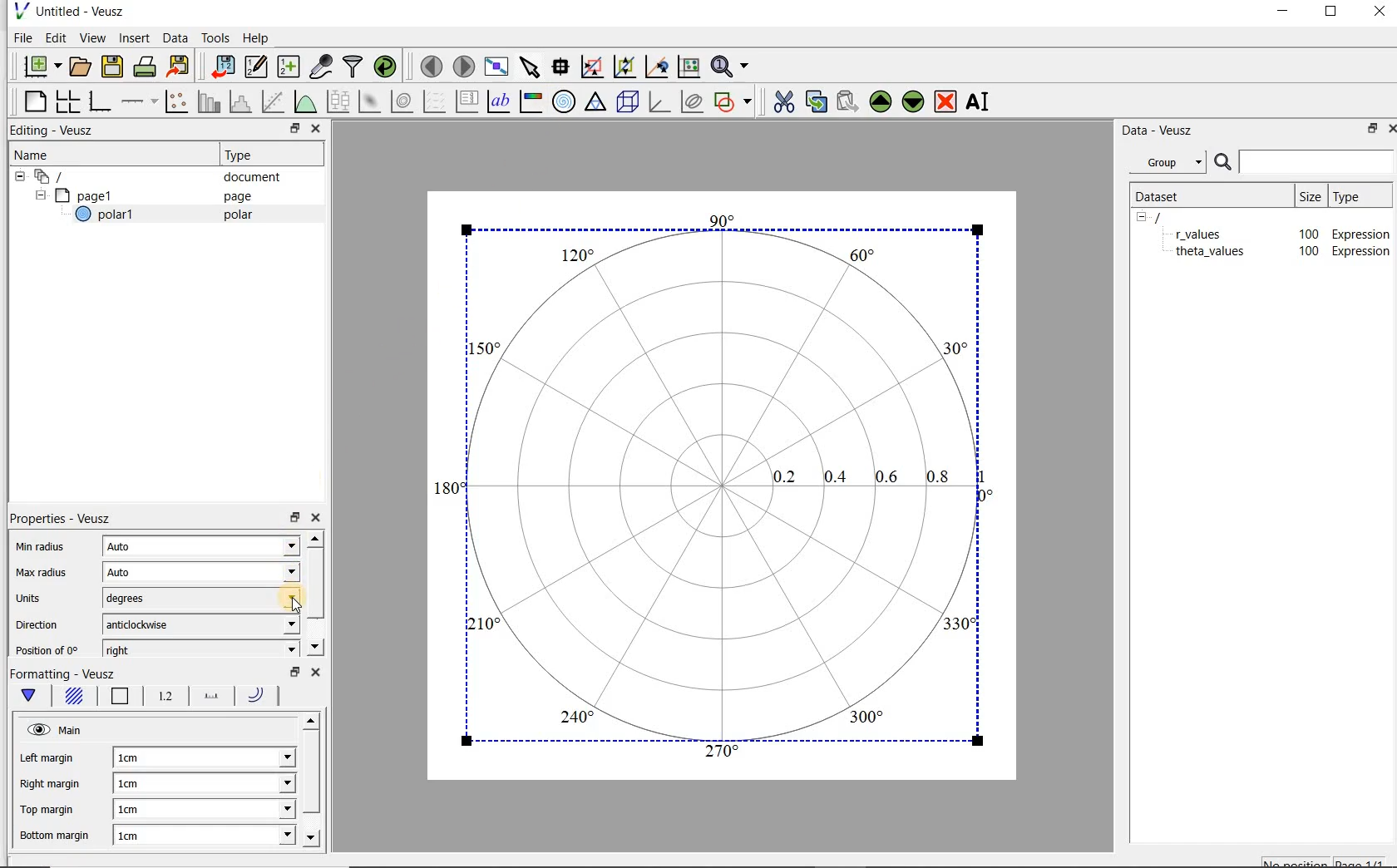  I want to click on Expression, so click(1365, 251).